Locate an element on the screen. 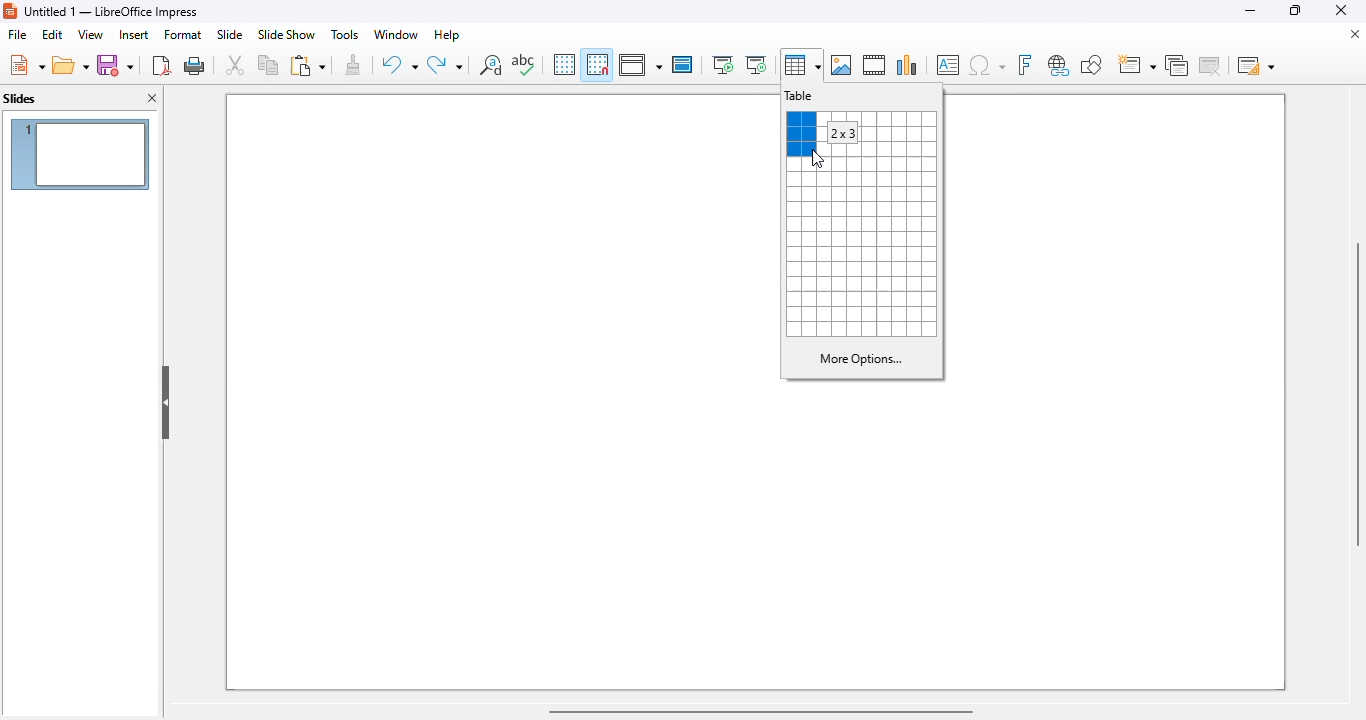  new is located at coordinates (26, 65).